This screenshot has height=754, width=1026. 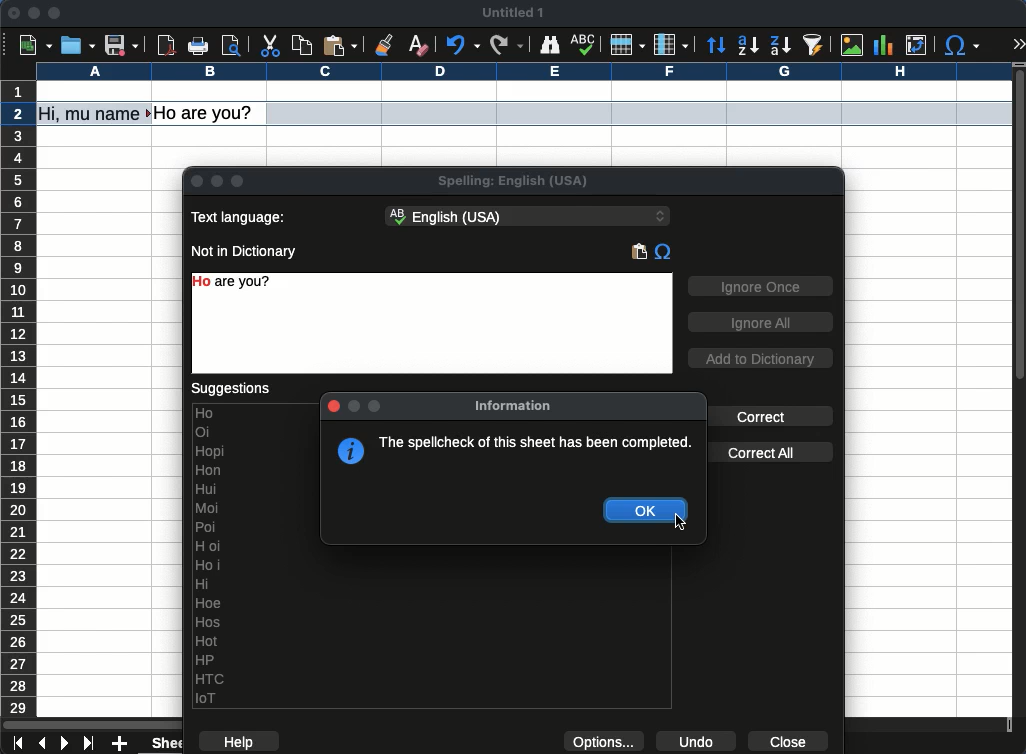 What do you see at coordinates (882, 45) in the screenshot?
I see `chart` at bounding box center [882, 45].